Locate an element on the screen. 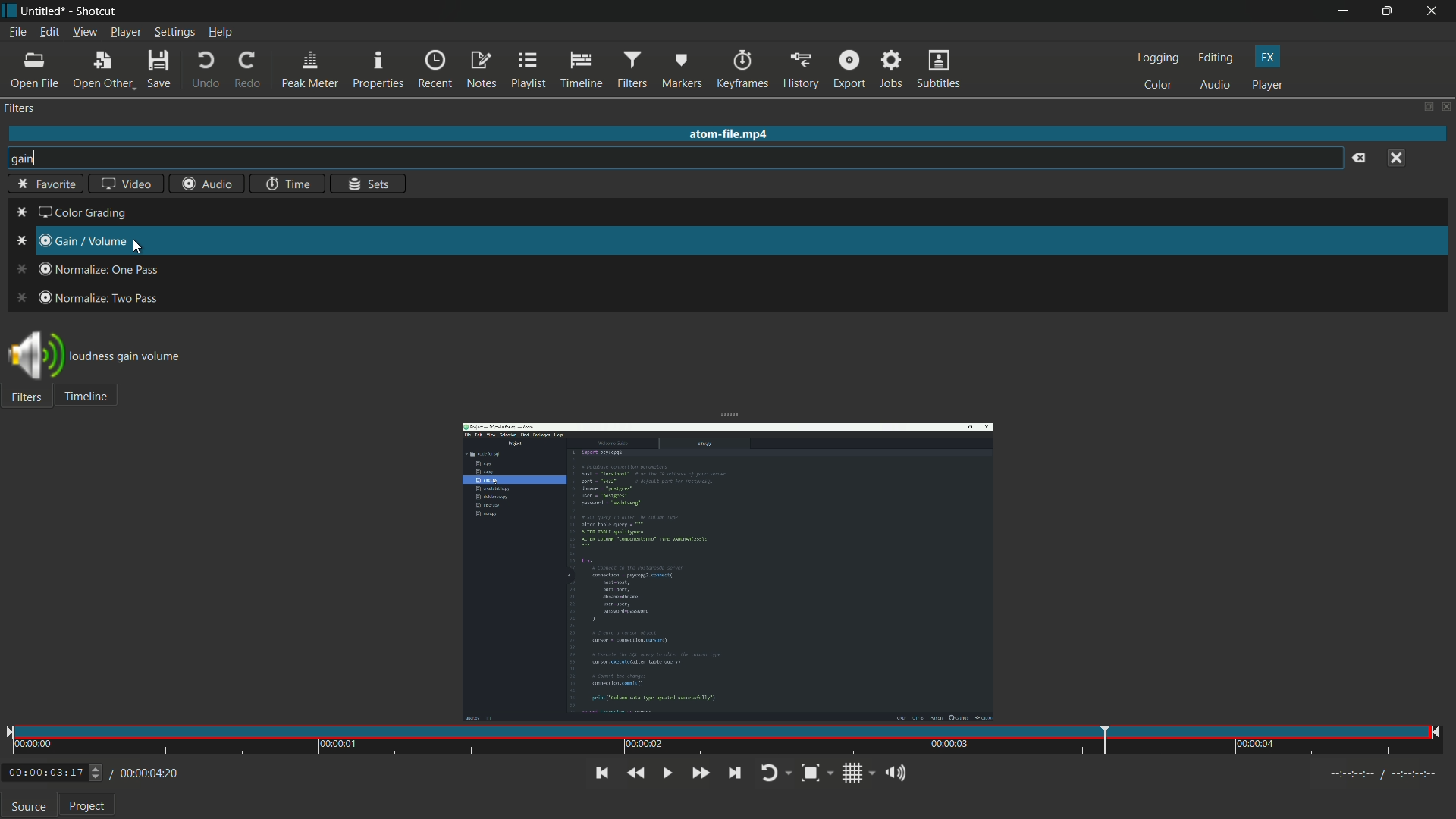 The image size is (1456, 819). quickly play backward is located at coordinates (635, 773).